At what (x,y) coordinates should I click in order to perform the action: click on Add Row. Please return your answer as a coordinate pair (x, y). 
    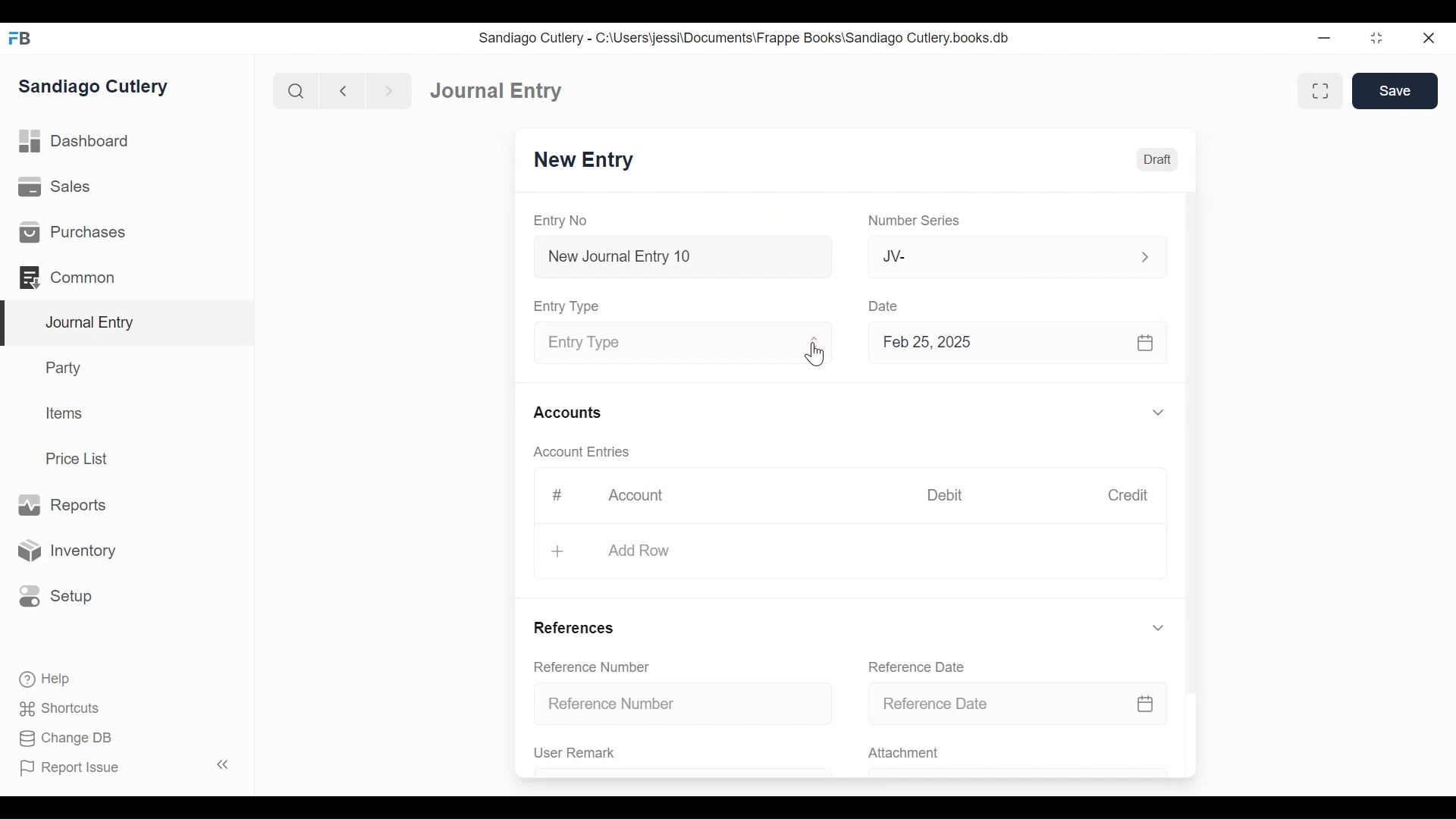
    Looking at the image, I should click on (638, 549).